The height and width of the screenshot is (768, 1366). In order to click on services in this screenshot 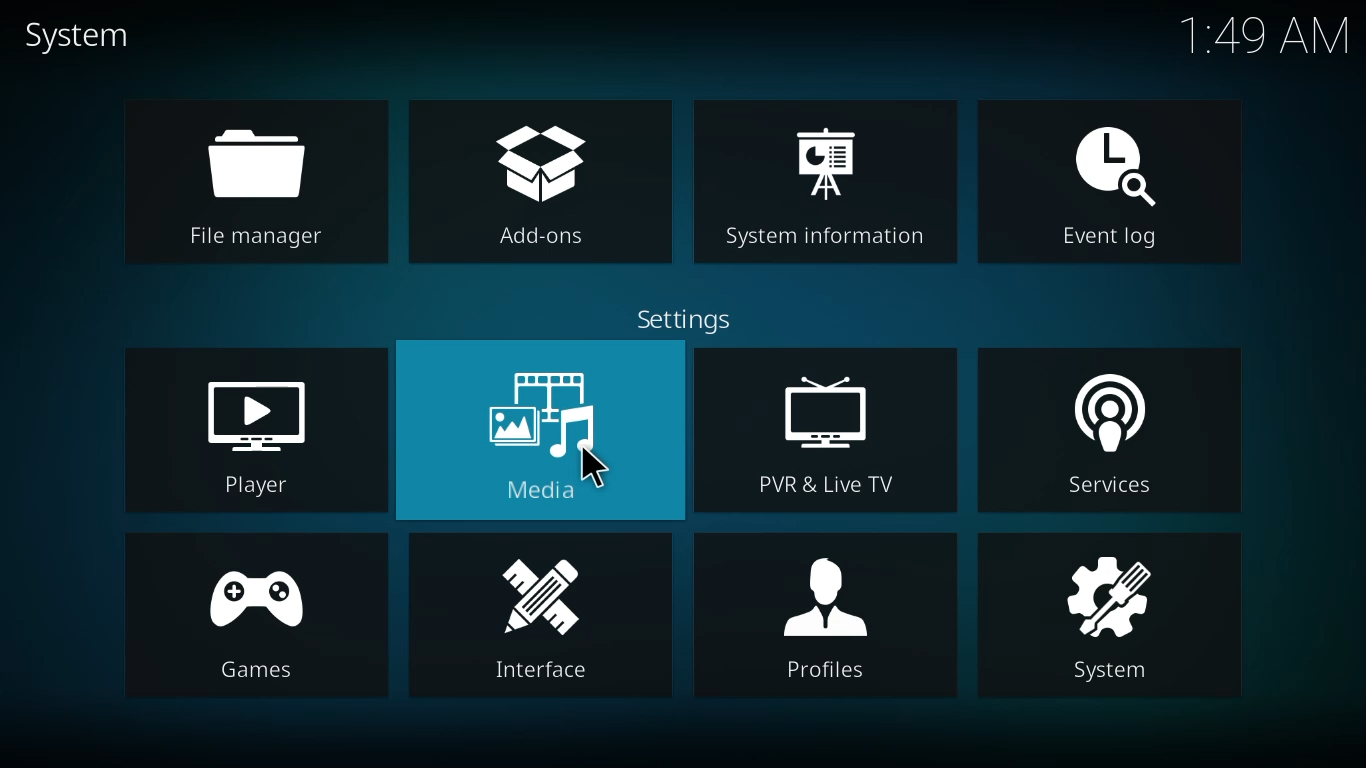, I will do `click(1116, 433)`.